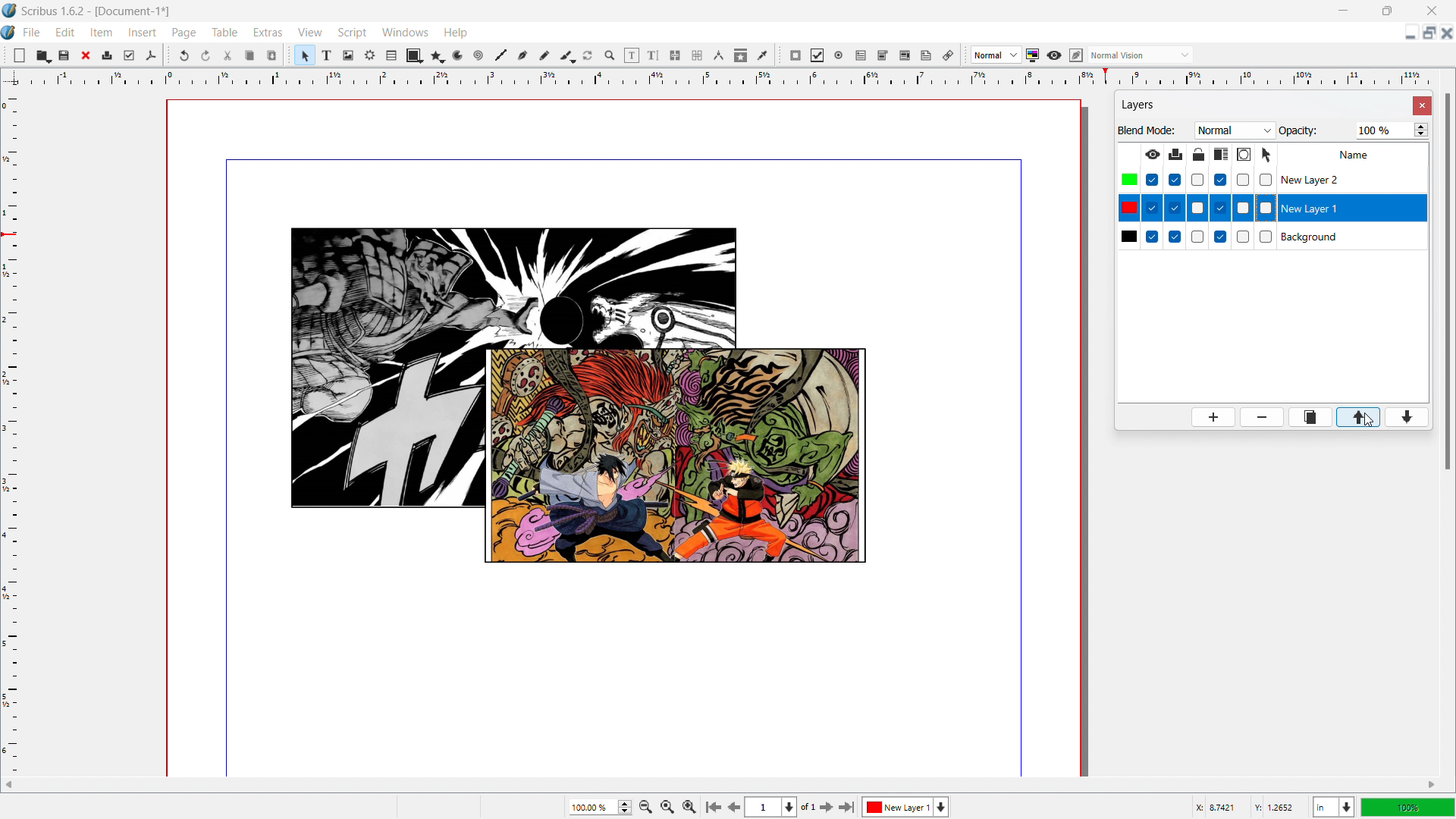 The width and height of the screenshot is (1456, 819). What do you see at coordinates (780, 55) in the screenshot?
I see `move toolbox` at bounding box center [780, 55].